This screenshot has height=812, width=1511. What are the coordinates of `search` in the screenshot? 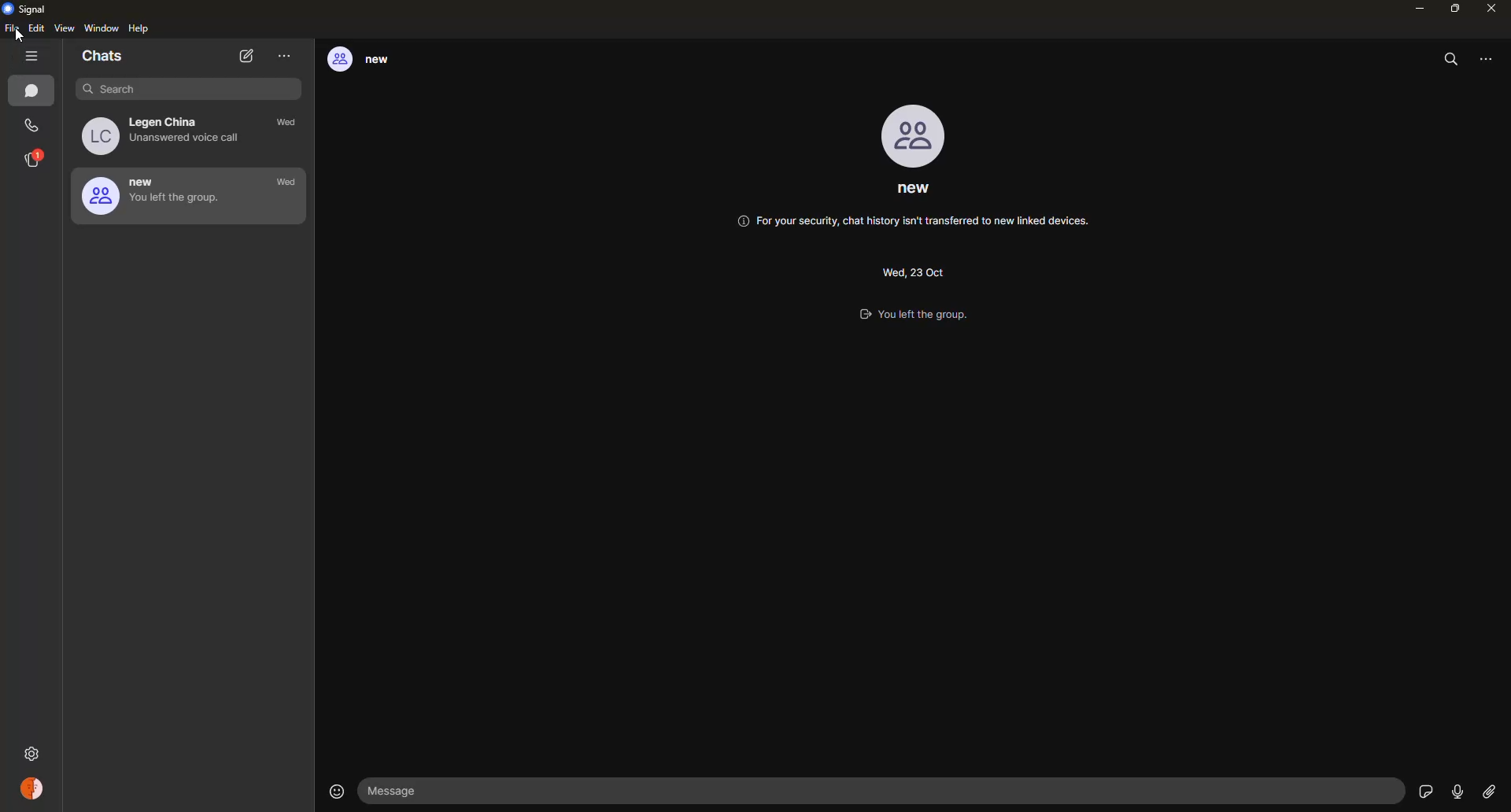 It's located at (1453, 59).